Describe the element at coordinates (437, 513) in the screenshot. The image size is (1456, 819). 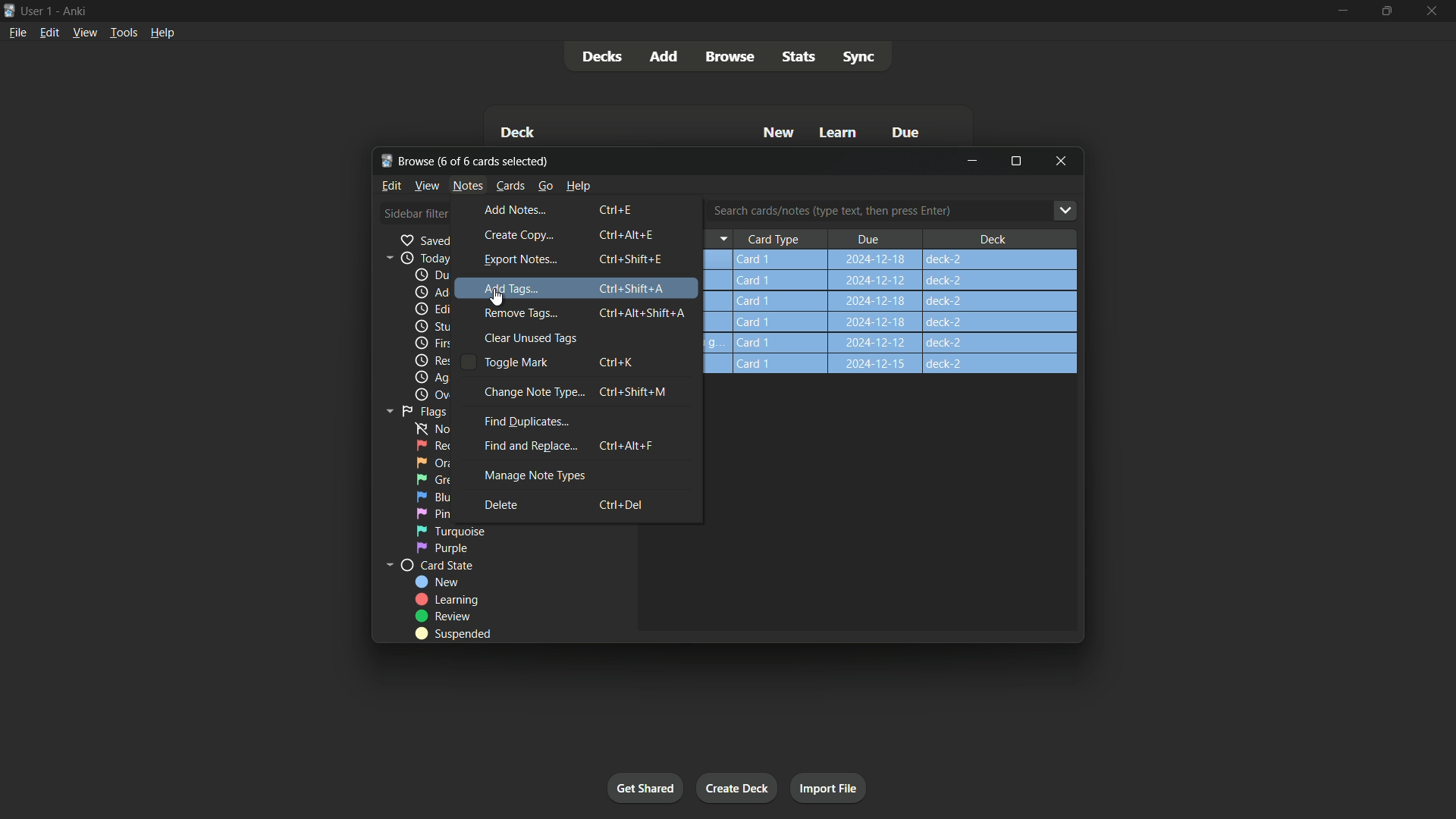
I see `pink` at that location.